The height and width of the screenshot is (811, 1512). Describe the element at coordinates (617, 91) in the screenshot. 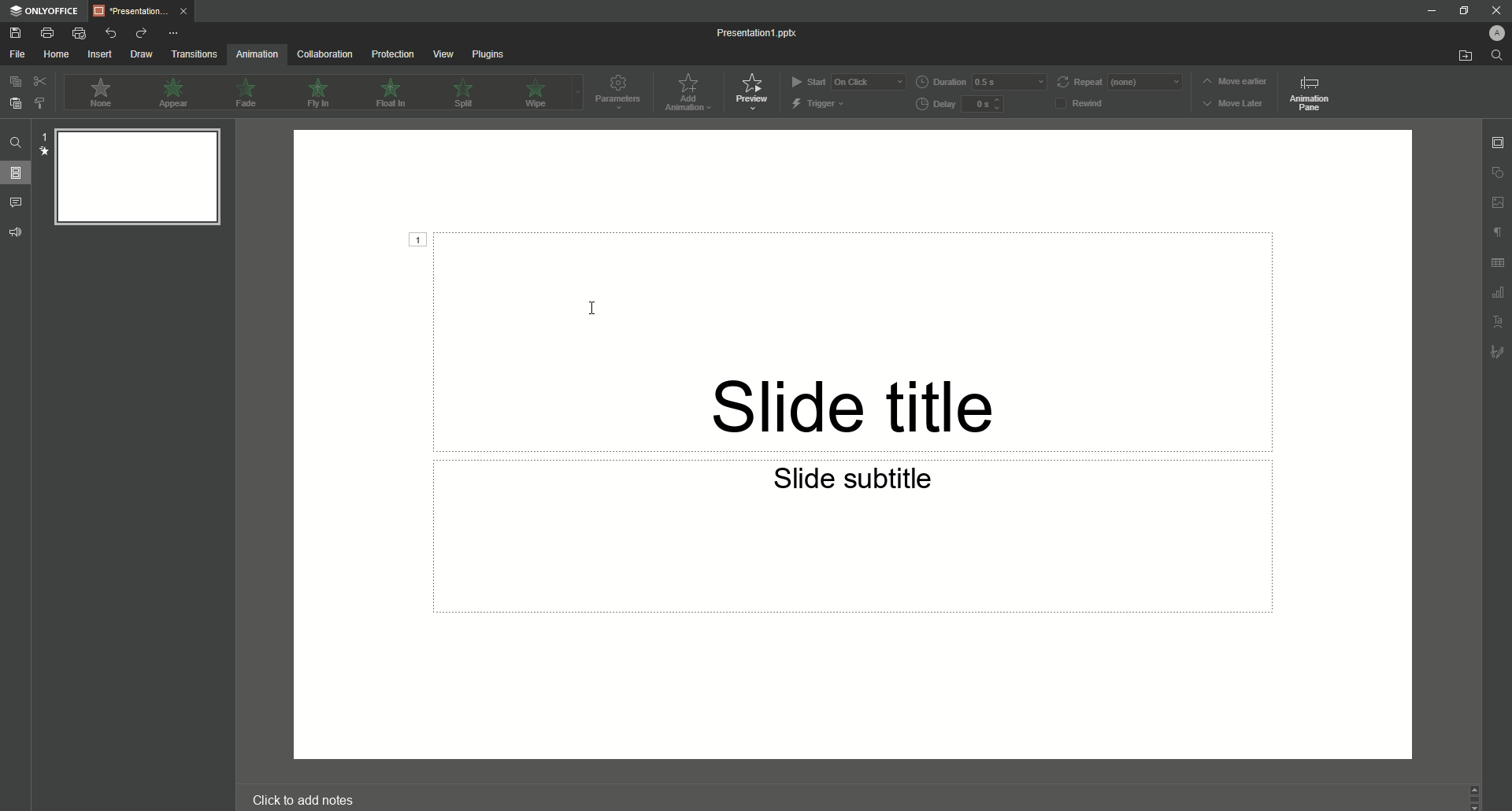

I see `Parameters` at that location.